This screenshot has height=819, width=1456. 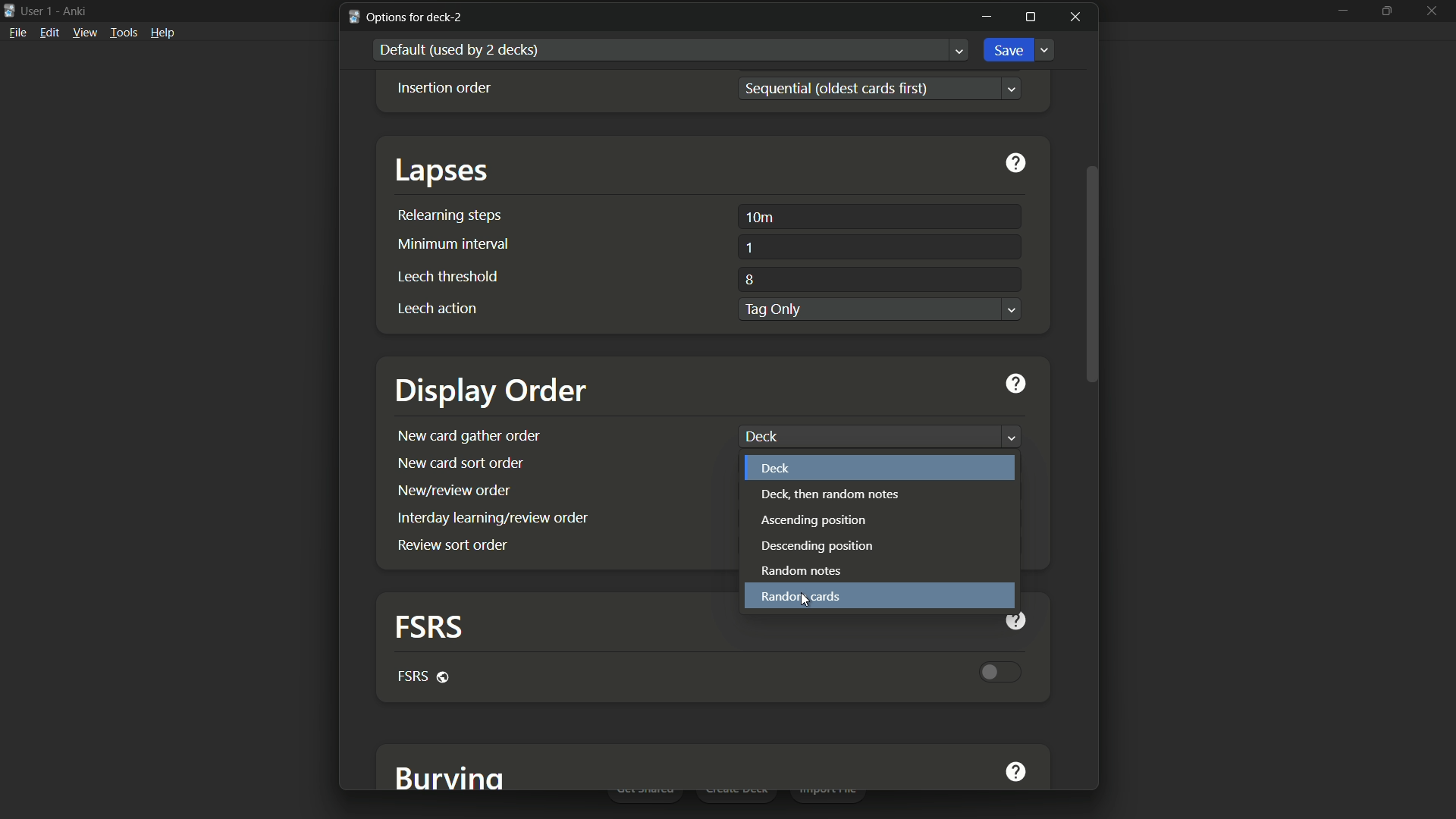 I want to click on Dropdown, so click(x=1010, y=436).